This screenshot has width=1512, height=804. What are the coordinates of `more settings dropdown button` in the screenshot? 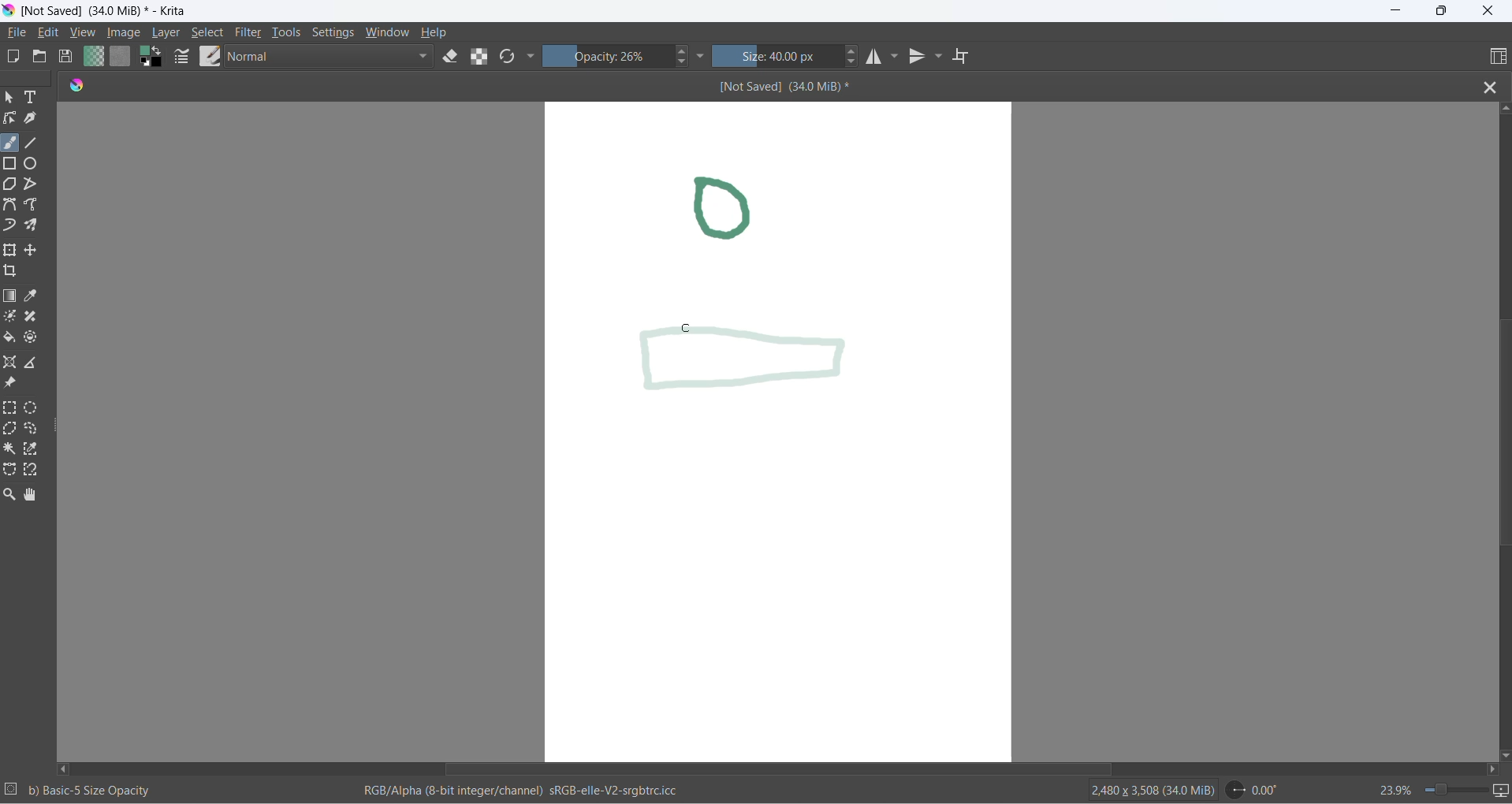 It's located at (533, 59).